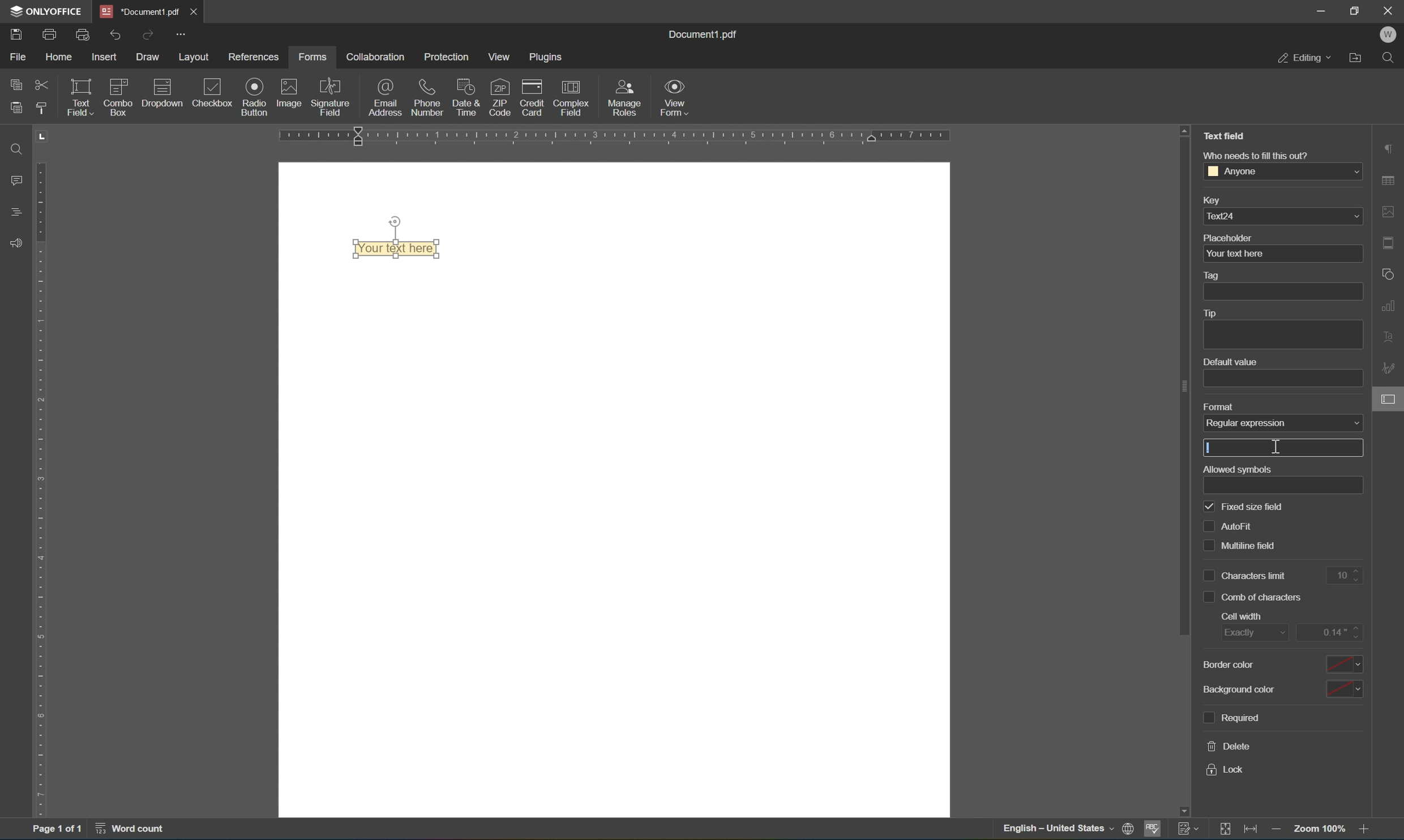 The height and width of the screenshot is (840, 1404). I want to click on print, so click(50, 36).